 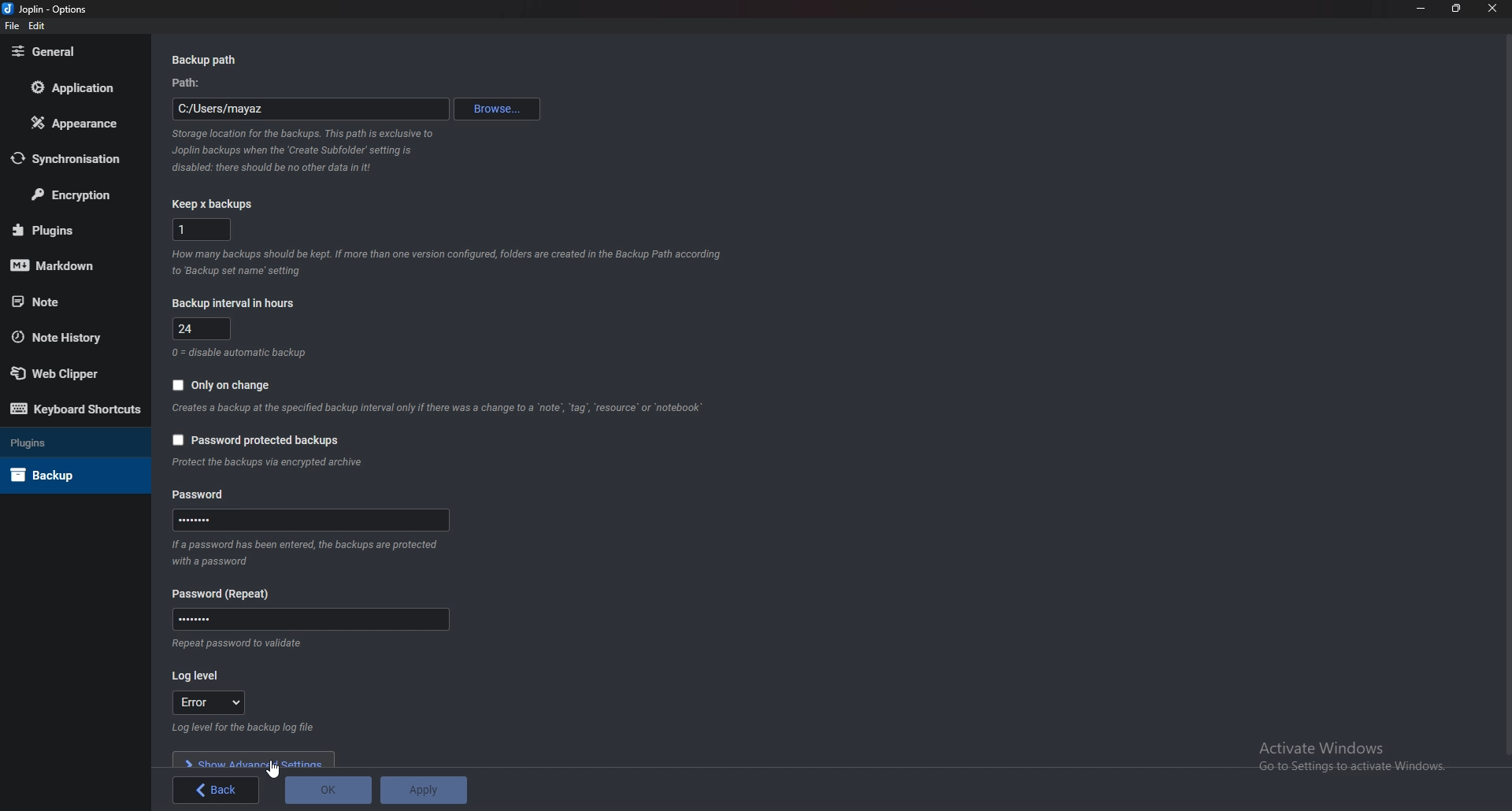 What do you see at coordinates (202, 229) in the screenshot?
I see `x` at bounding box center [202, 229].